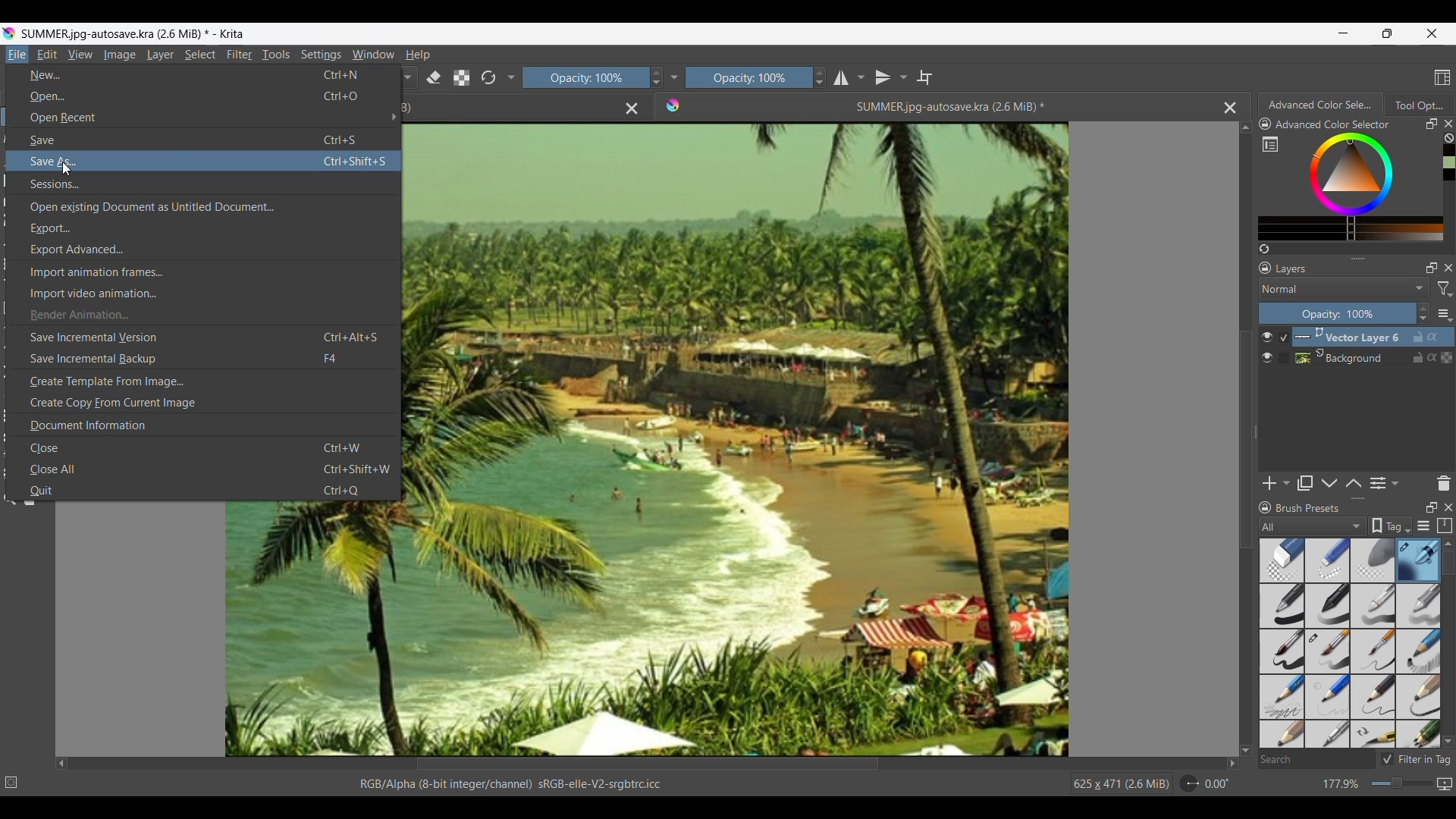 Image resolution: width=1456 pixels, height=819 pixels. Describe the element at coordinates (1345, 288) in the screenshot. I see `Mode options` at that location.